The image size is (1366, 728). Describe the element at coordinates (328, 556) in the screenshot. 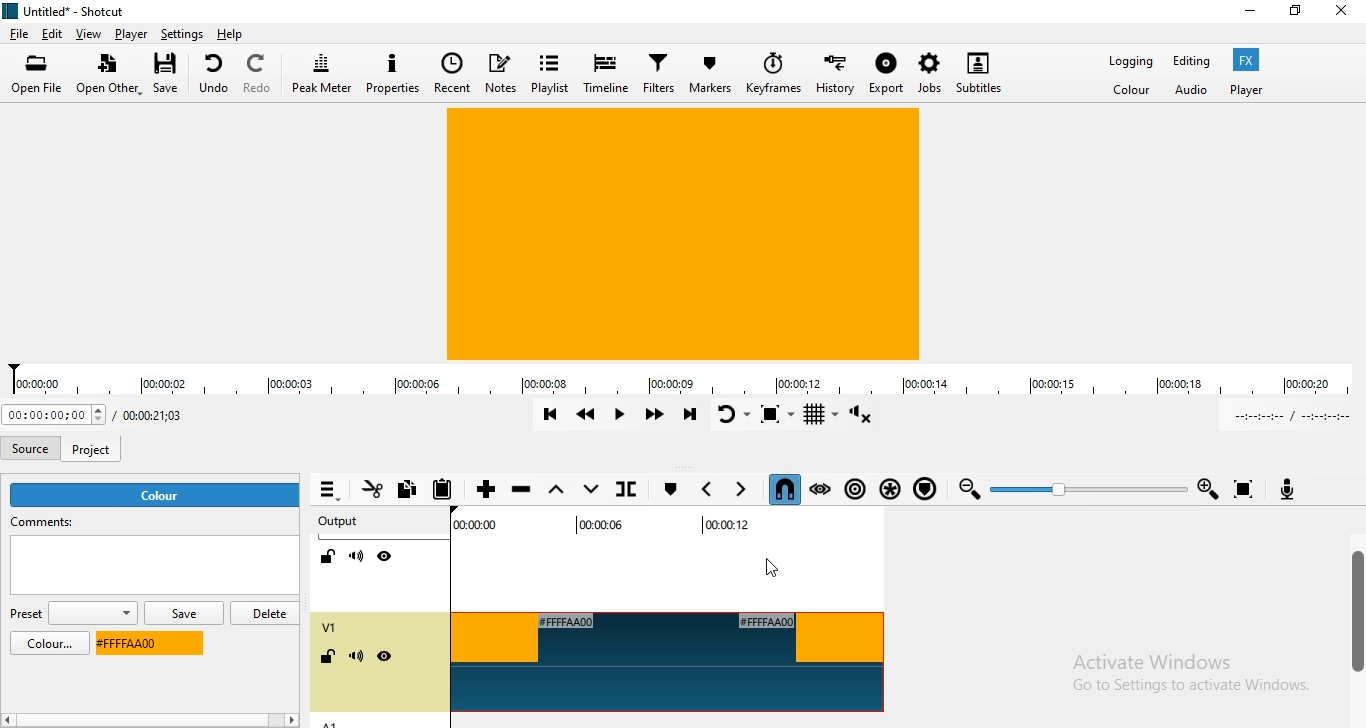

I see `Lock` at that location.